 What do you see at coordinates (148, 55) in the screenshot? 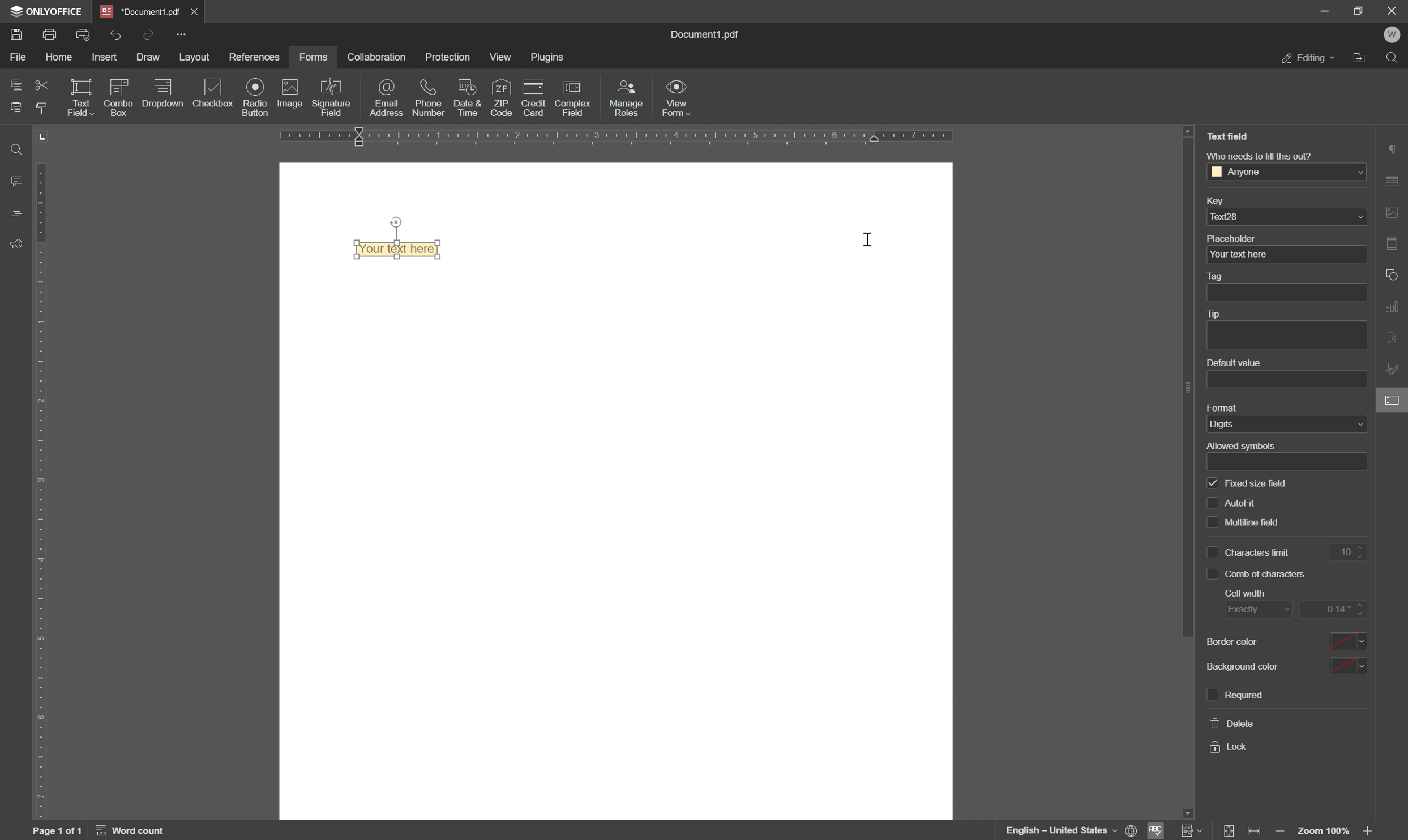
I see `draw` at bounding box center [148, 55].